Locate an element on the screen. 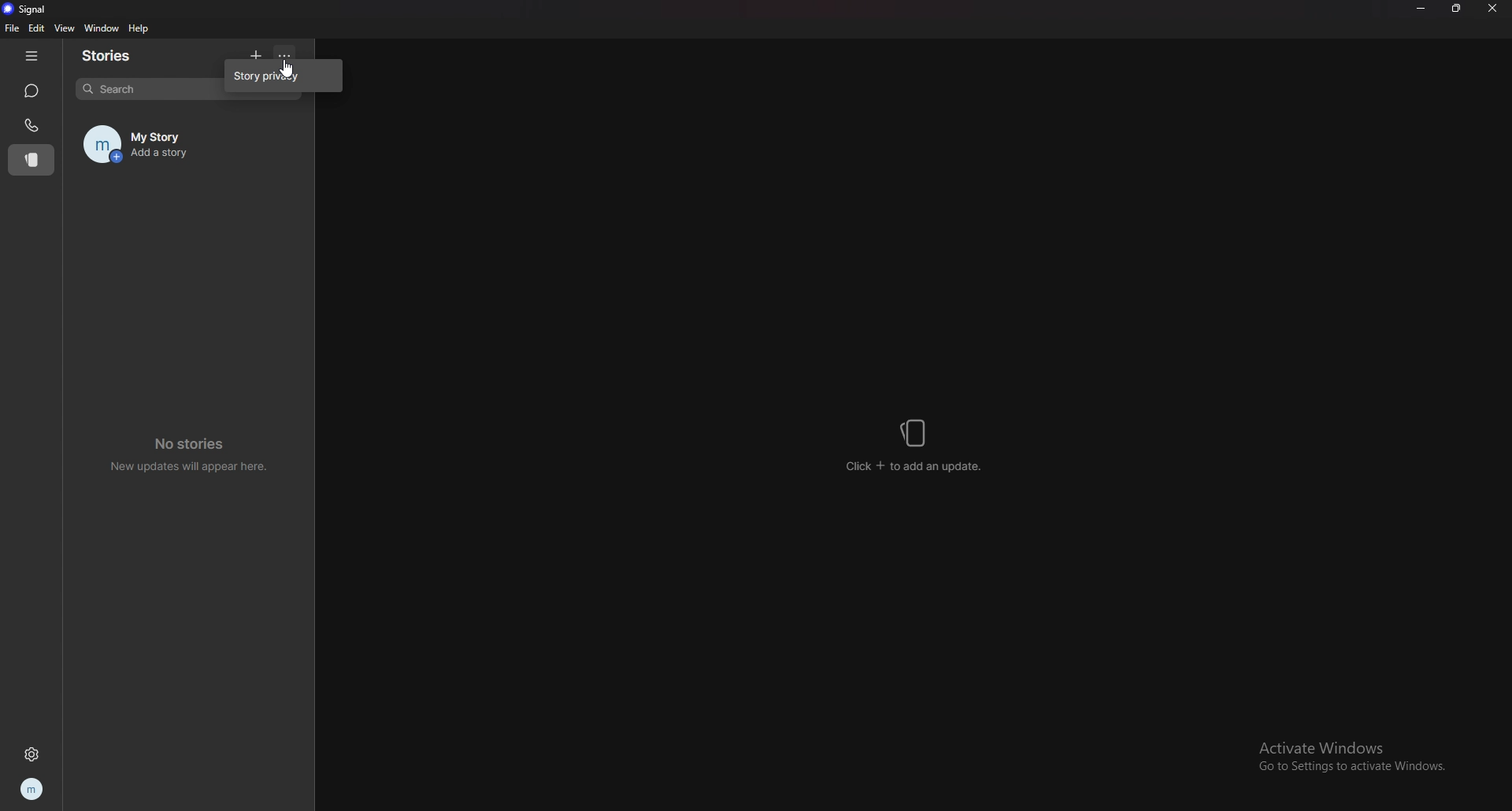 Image resolution: width=1512 pixels, height=811 pixels. calls is located at coordinates (31, 125).